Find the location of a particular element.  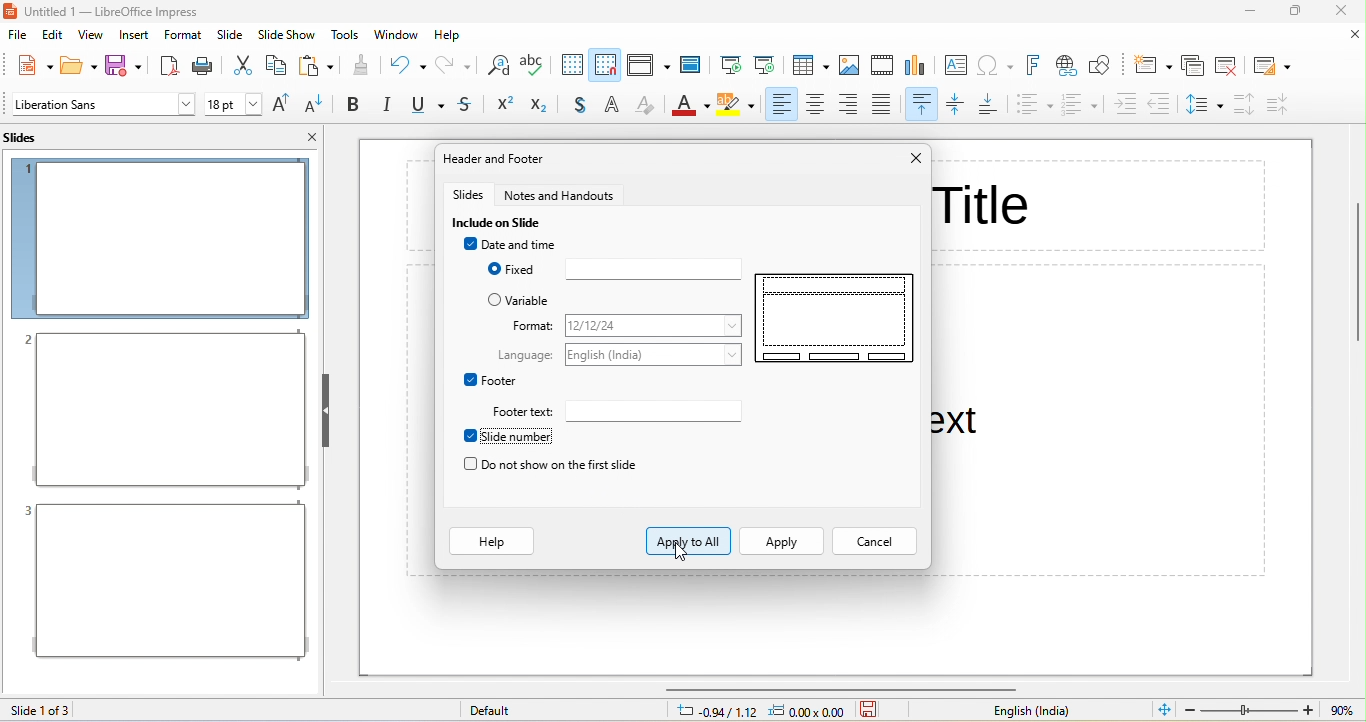

decrease paragraph spacing is located at coordinates (1280, 104).